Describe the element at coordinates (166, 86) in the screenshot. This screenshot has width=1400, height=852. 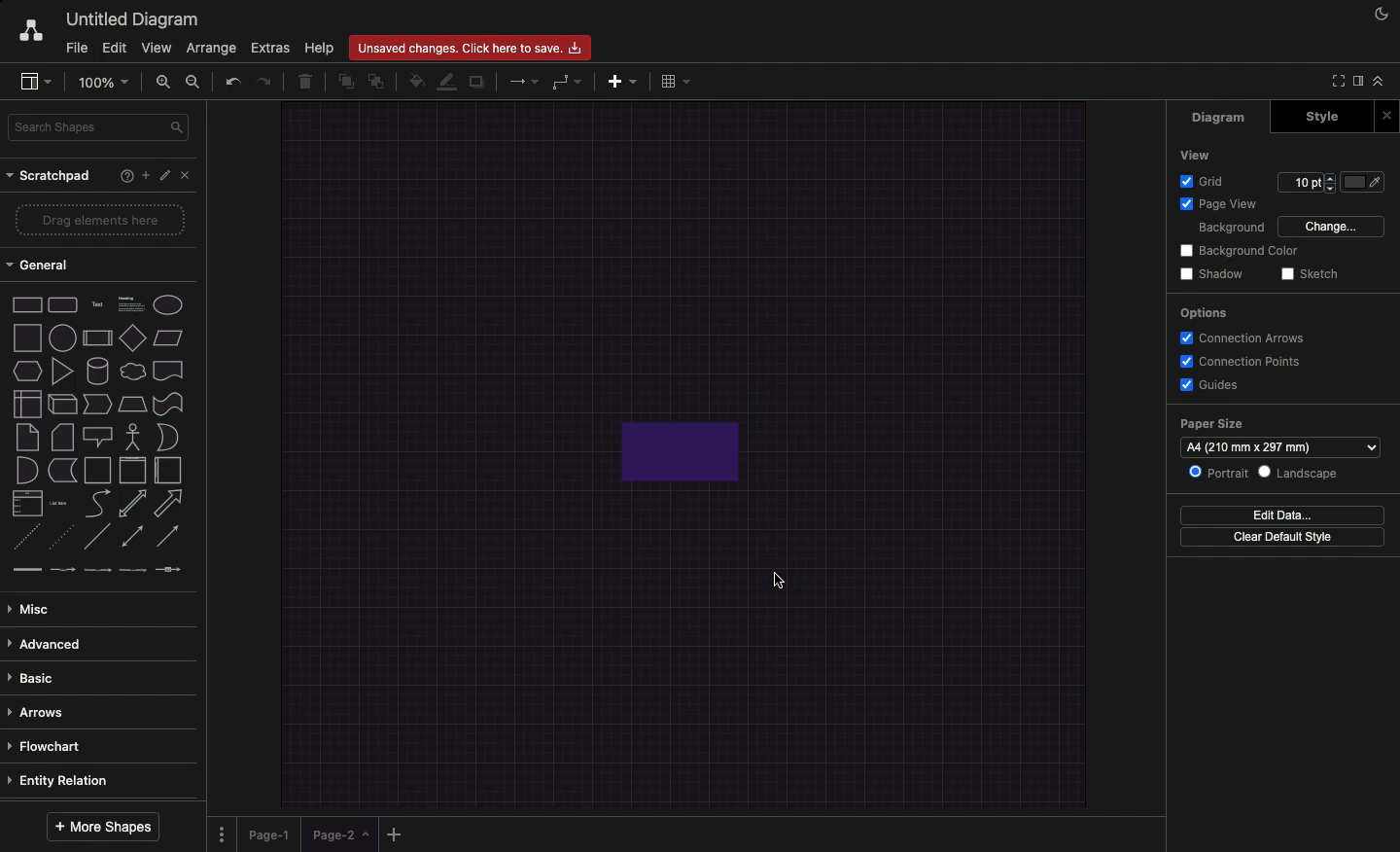
I see `Zoom in` at that location.